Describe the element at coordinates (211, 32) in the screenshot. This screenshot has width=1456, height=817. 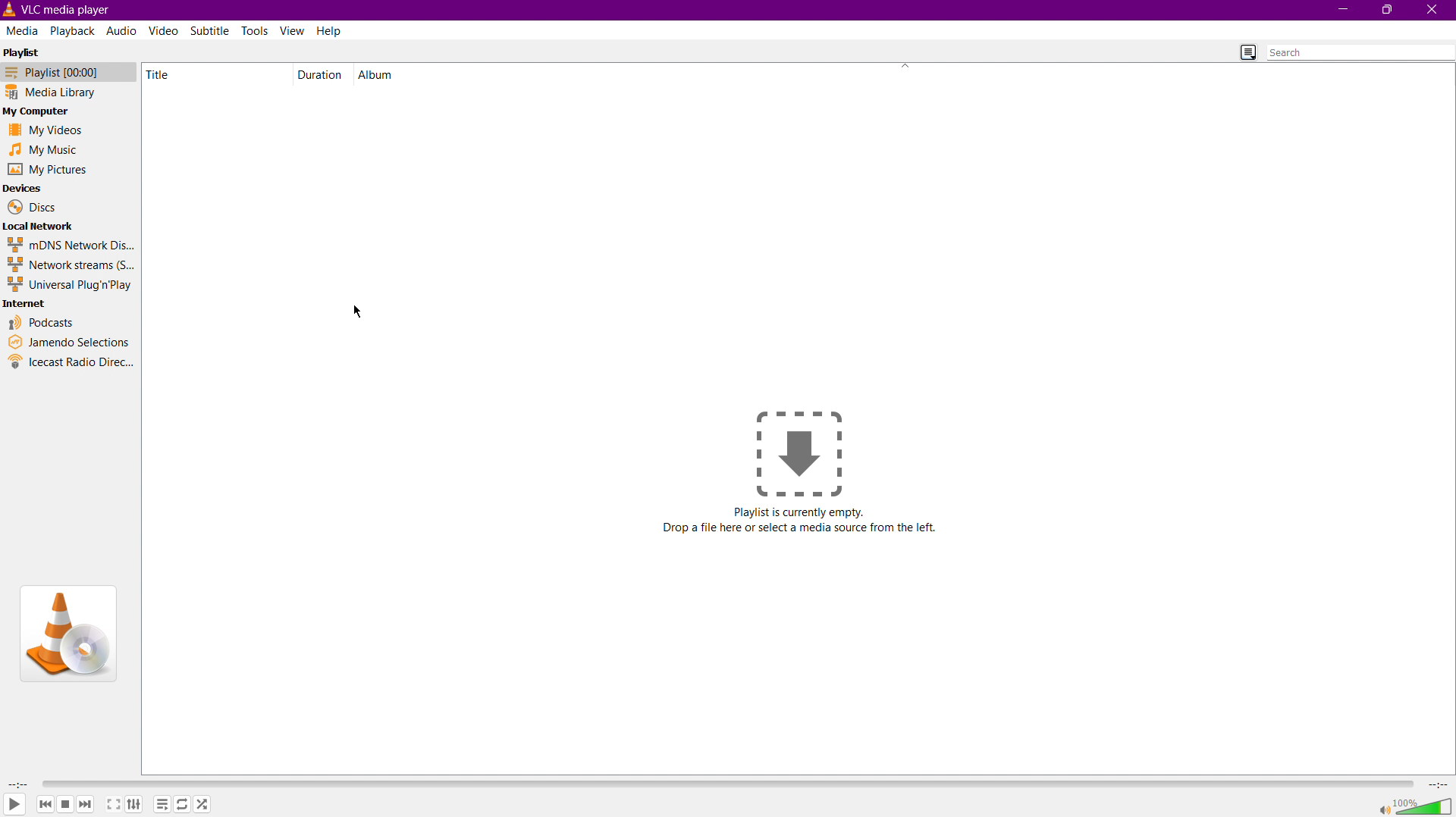
I see `Subtitle` at that location.